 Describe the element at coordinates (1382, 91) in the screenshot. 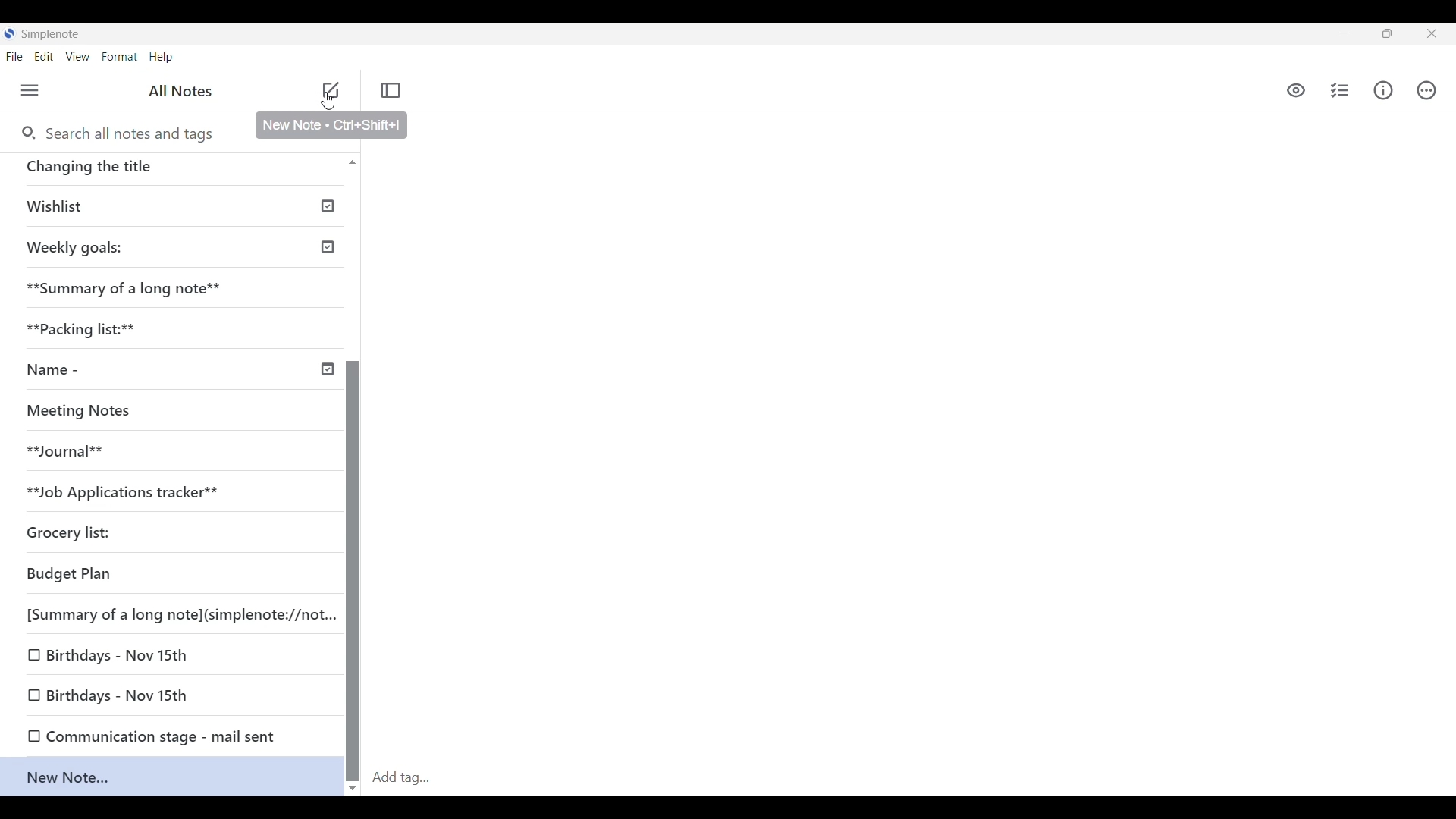

I see `Info` at that location.